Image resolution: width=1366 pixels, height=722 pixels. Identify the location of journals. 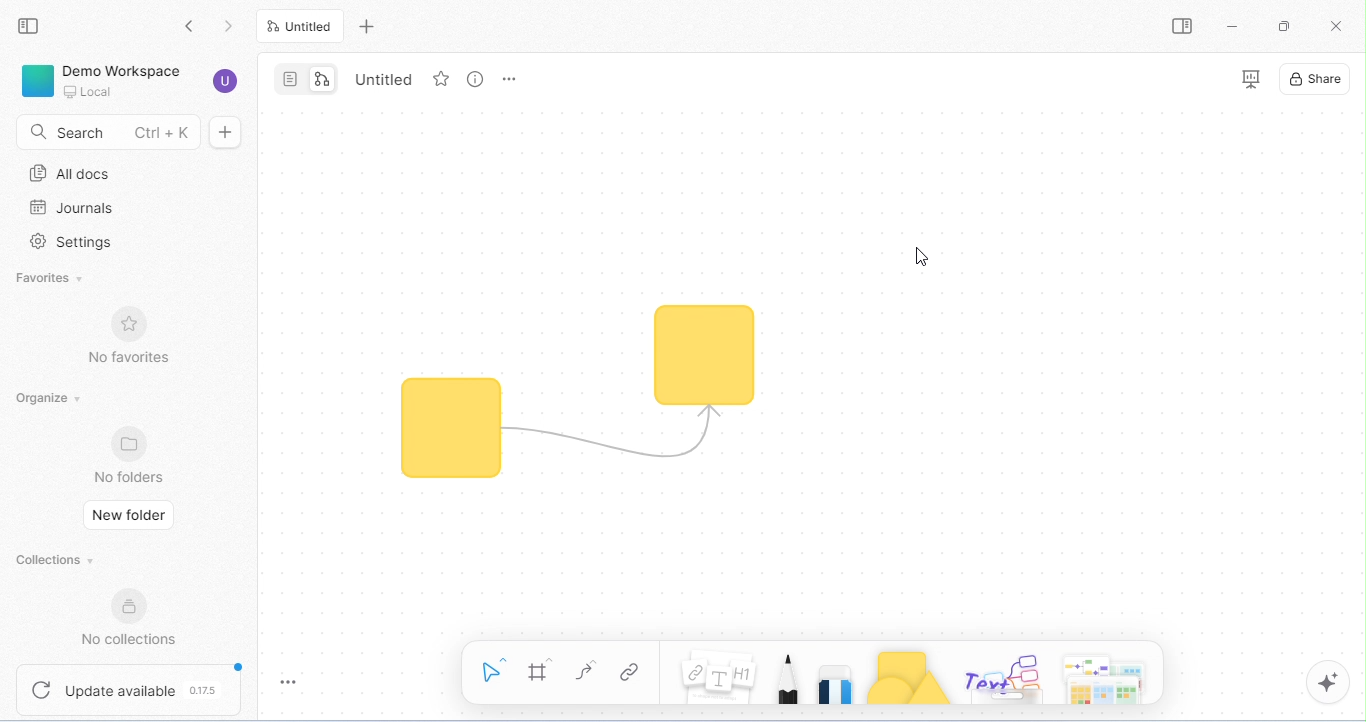
(69, 208).